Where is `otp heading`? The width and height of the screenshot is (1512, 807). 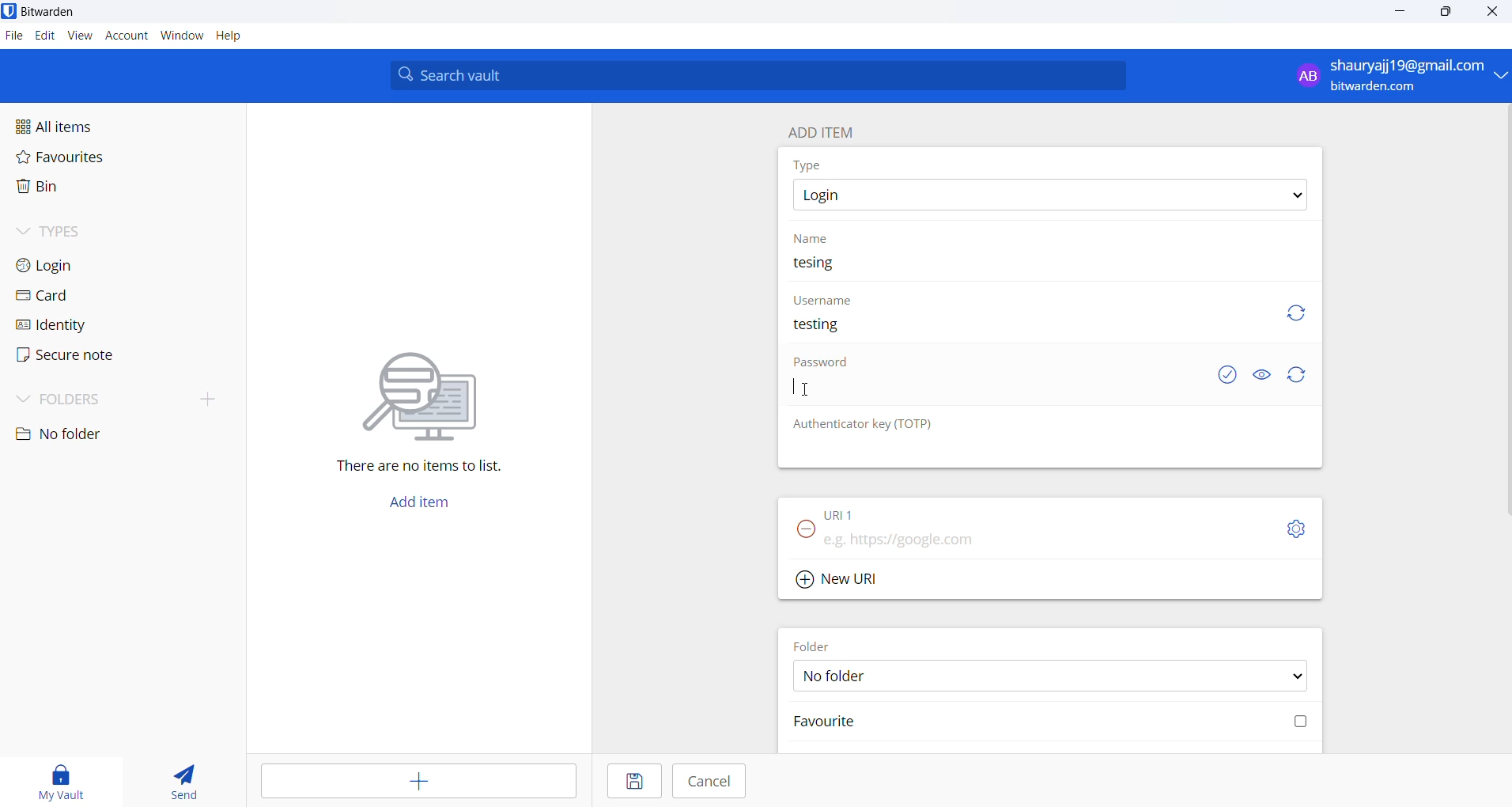
otp heading is located at coordinates (879, 426).